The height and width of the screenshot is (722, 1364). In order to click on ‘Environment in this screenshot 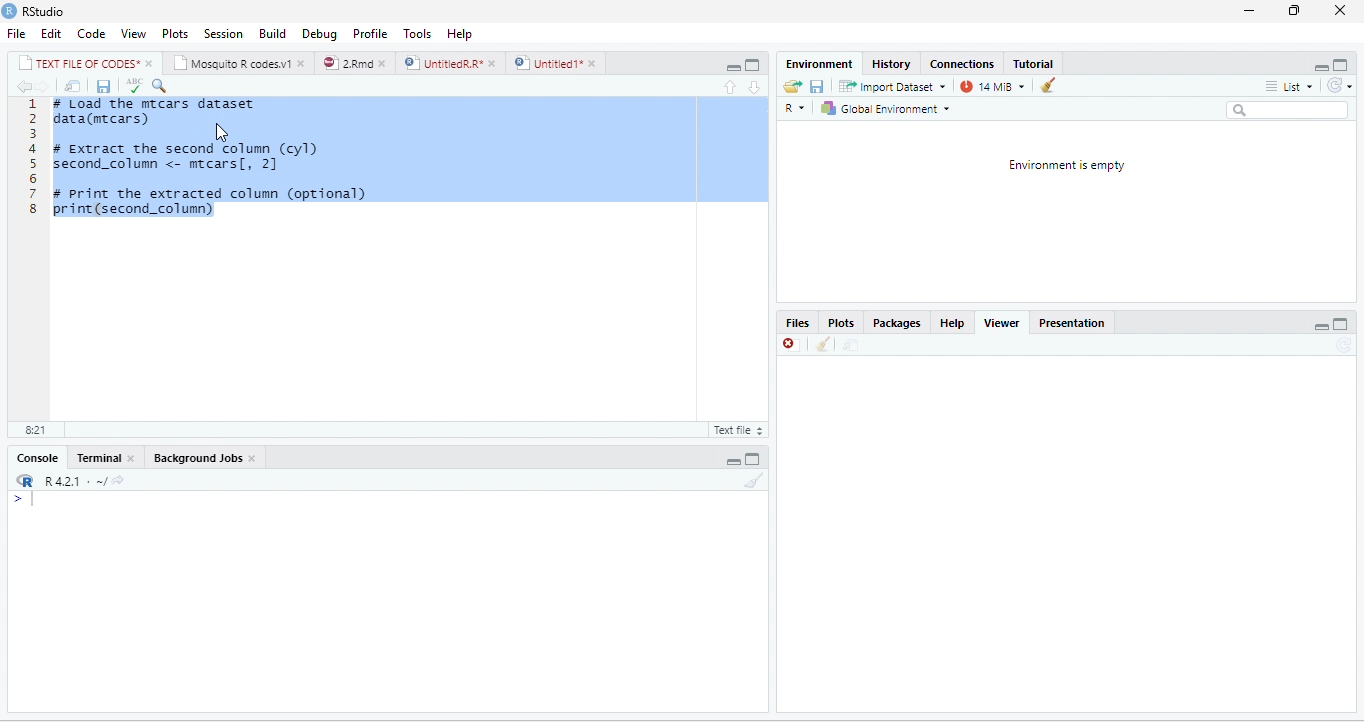, I will do `click(817, 64)`.